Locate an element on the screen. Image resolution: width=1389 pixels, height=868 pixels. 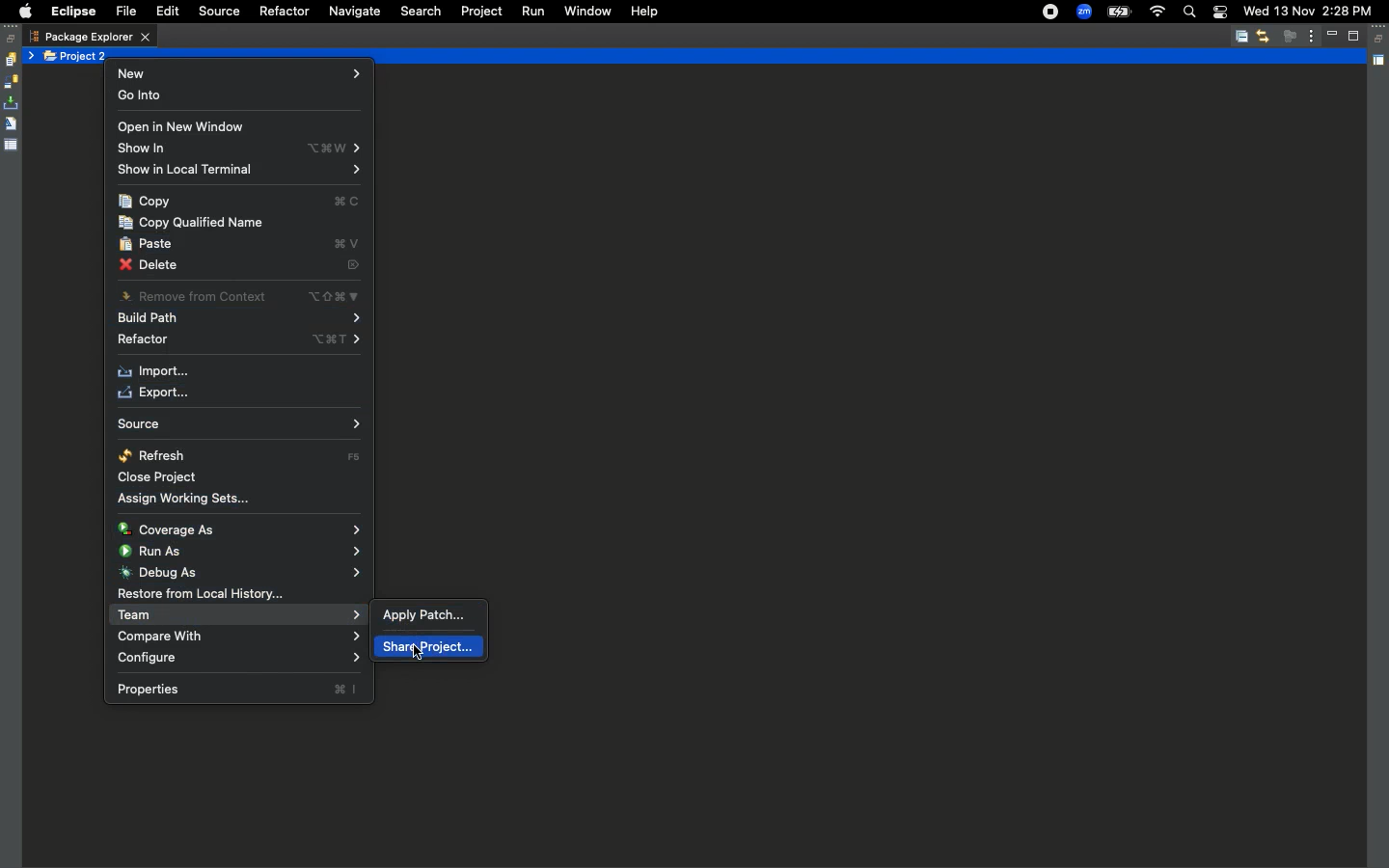
Properties is located at coordinates (237, 689).